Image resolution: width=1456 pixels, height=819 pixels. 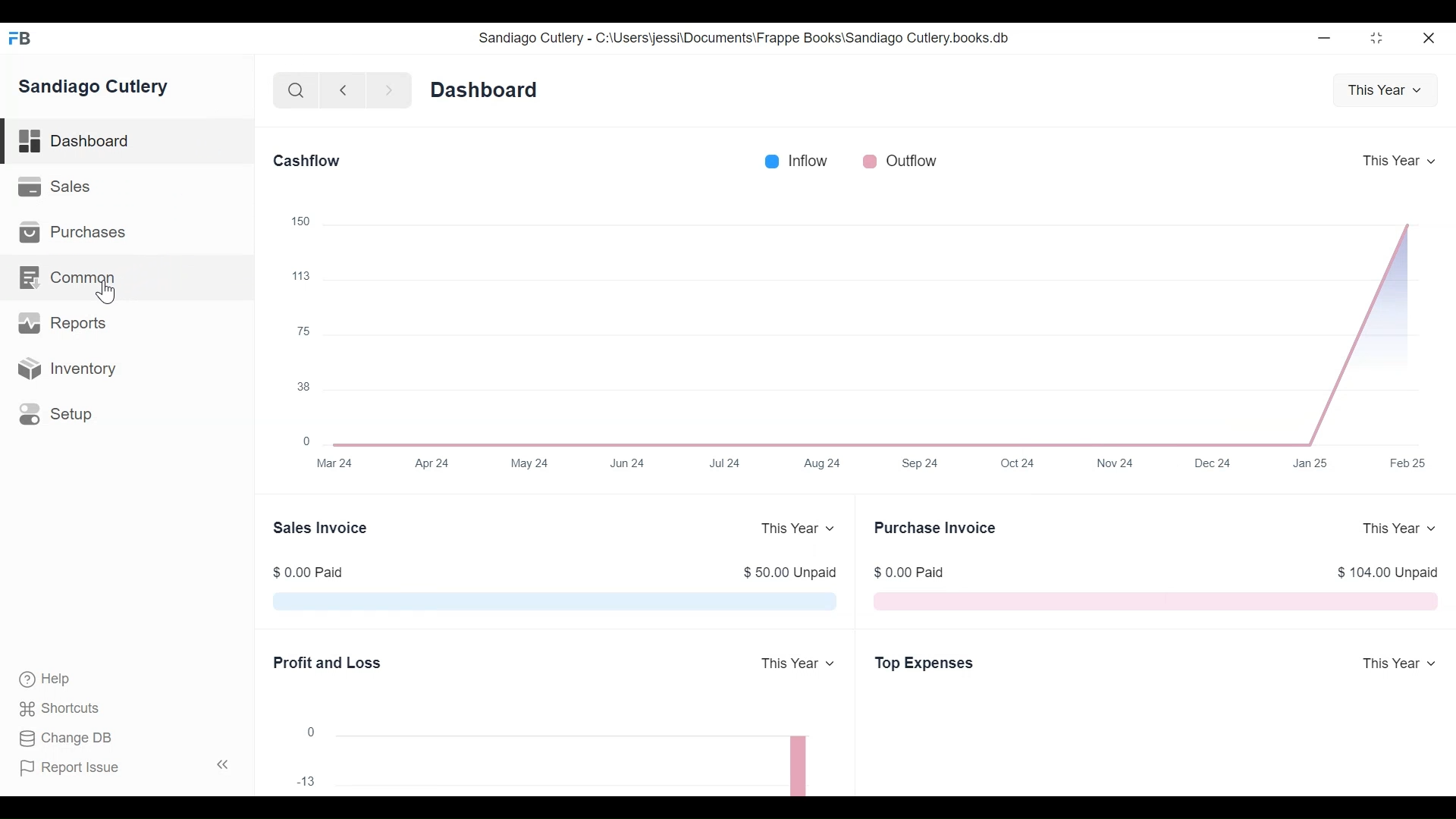 I want to click on Cashflow, so click(x=311, y=162).